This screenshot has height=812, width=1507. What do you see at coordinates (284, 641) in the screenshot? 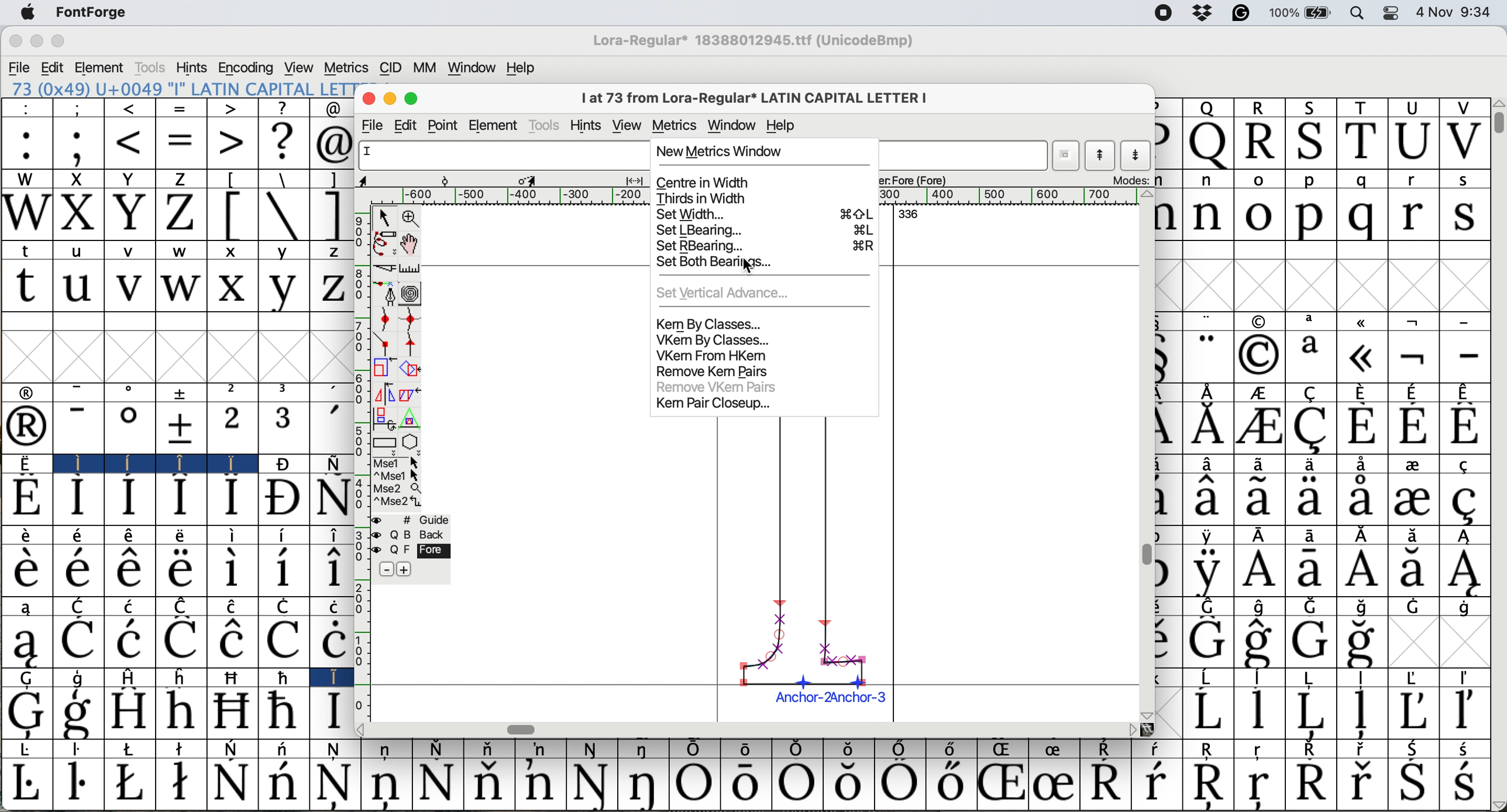
I see `Symbol` at bounding box center [284, 641].